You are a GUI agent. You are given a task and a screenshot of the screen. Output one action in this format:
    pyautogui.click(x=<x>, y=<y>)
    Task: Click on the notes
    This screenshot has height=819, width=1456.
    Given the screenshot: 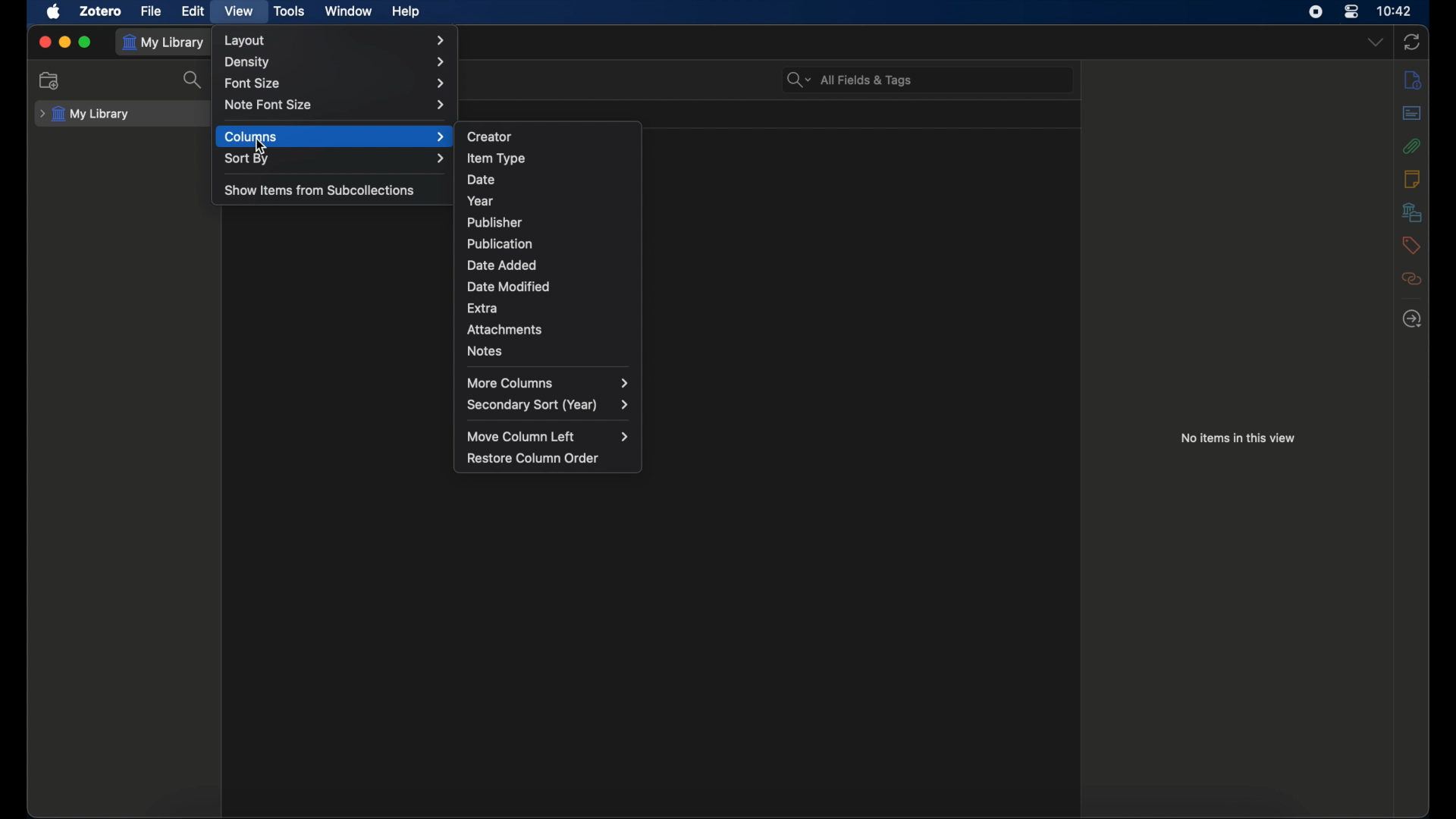 What is the action you would take?
    pyautogui.click(x=1412, y=179)
    